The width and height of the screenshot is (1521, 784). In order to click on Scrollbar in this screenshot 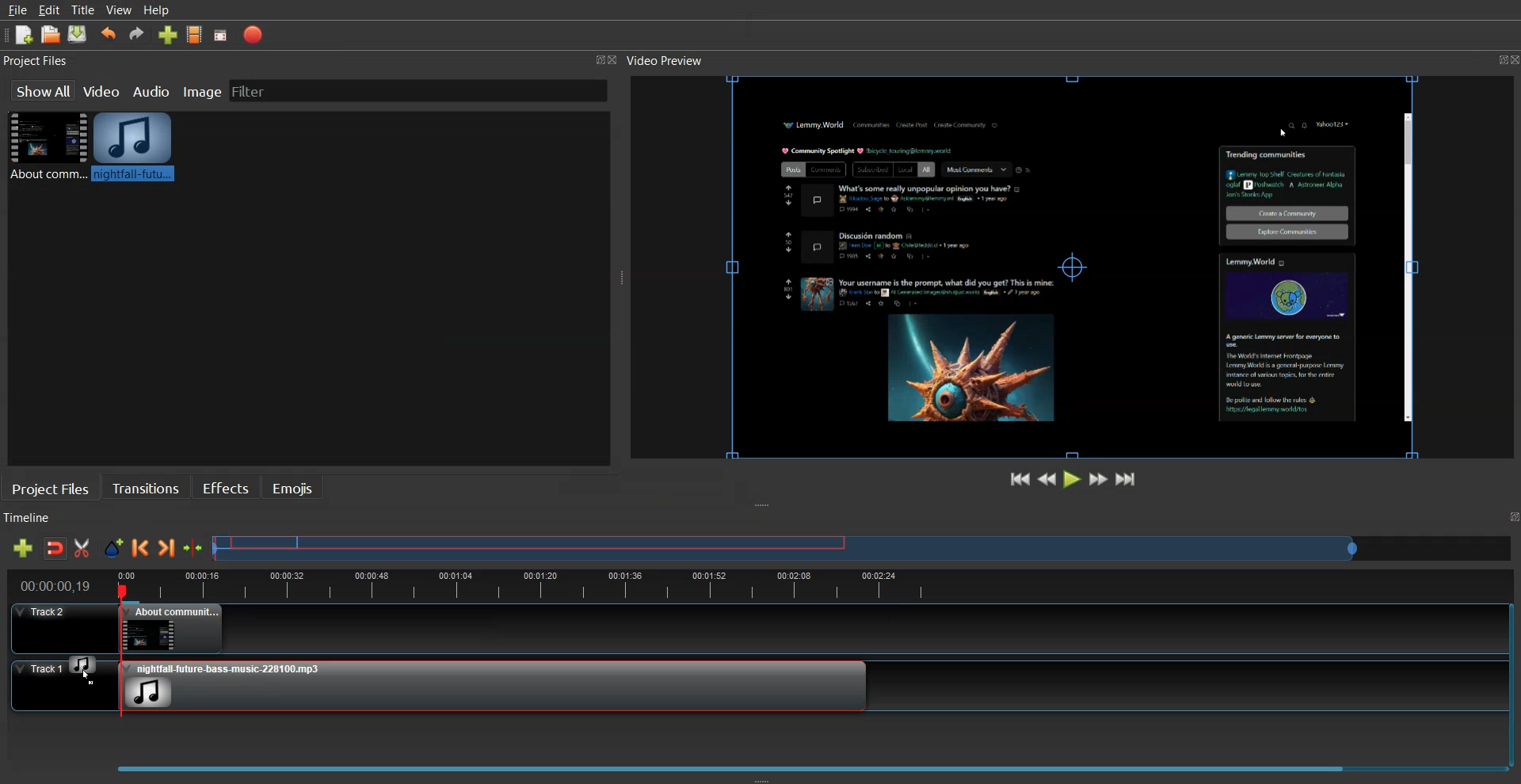, I will do `click(1406, 268)`.